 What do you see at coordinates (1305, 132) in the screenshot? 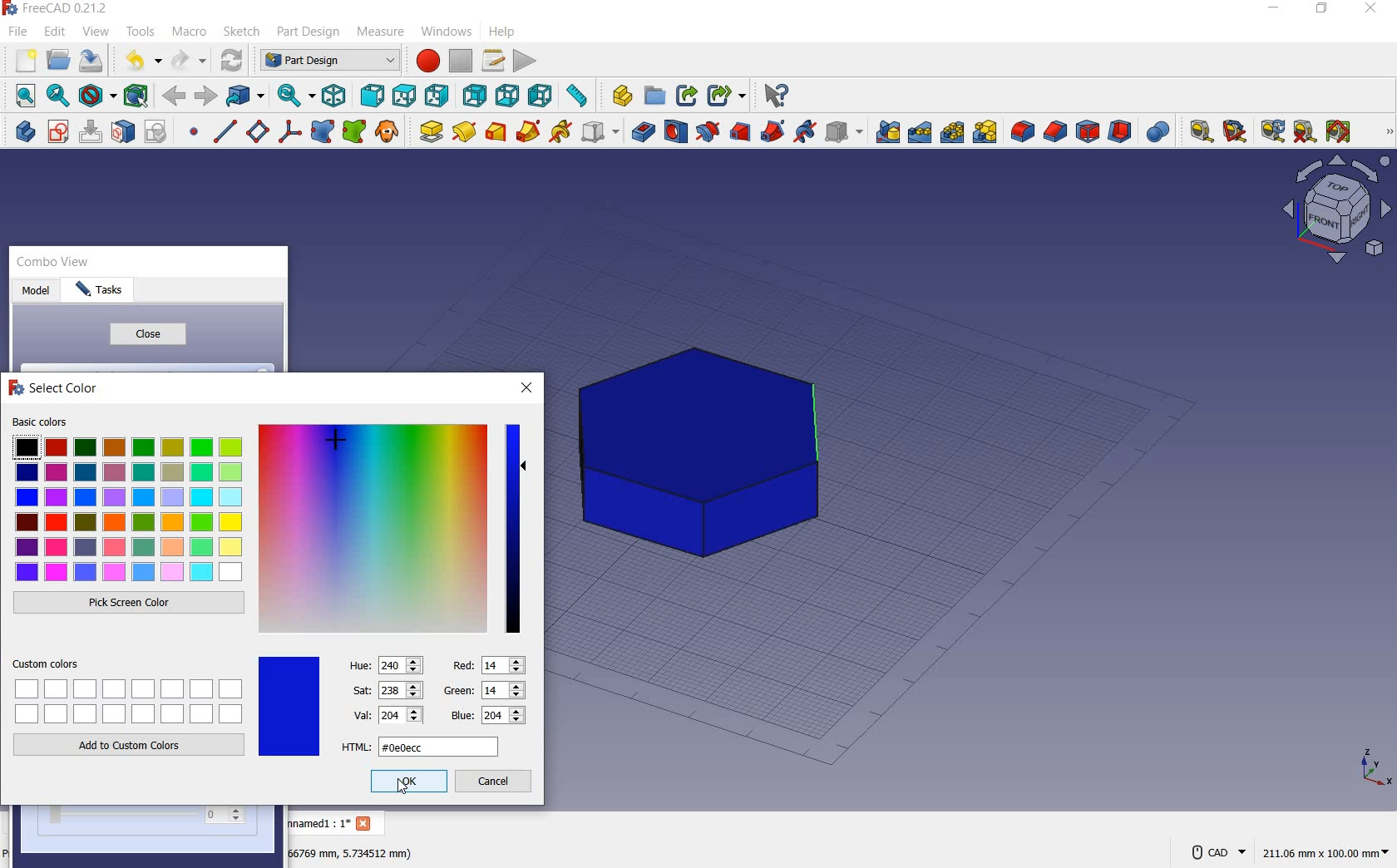
I see `clear all` at bounding box center [1305, 132].